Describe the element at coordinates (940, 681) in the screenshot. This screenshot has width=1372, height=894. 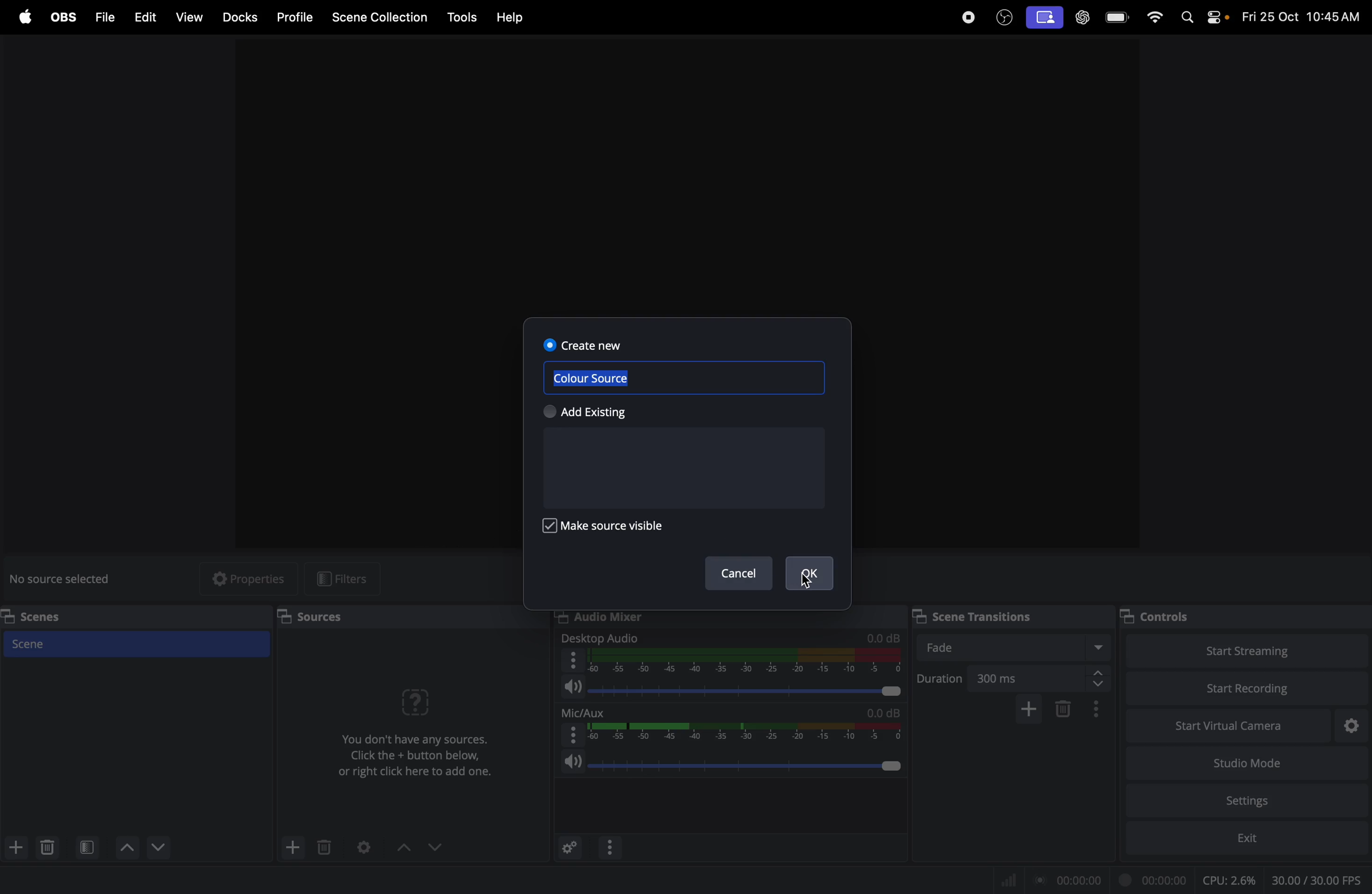
I see `duration` at that location.